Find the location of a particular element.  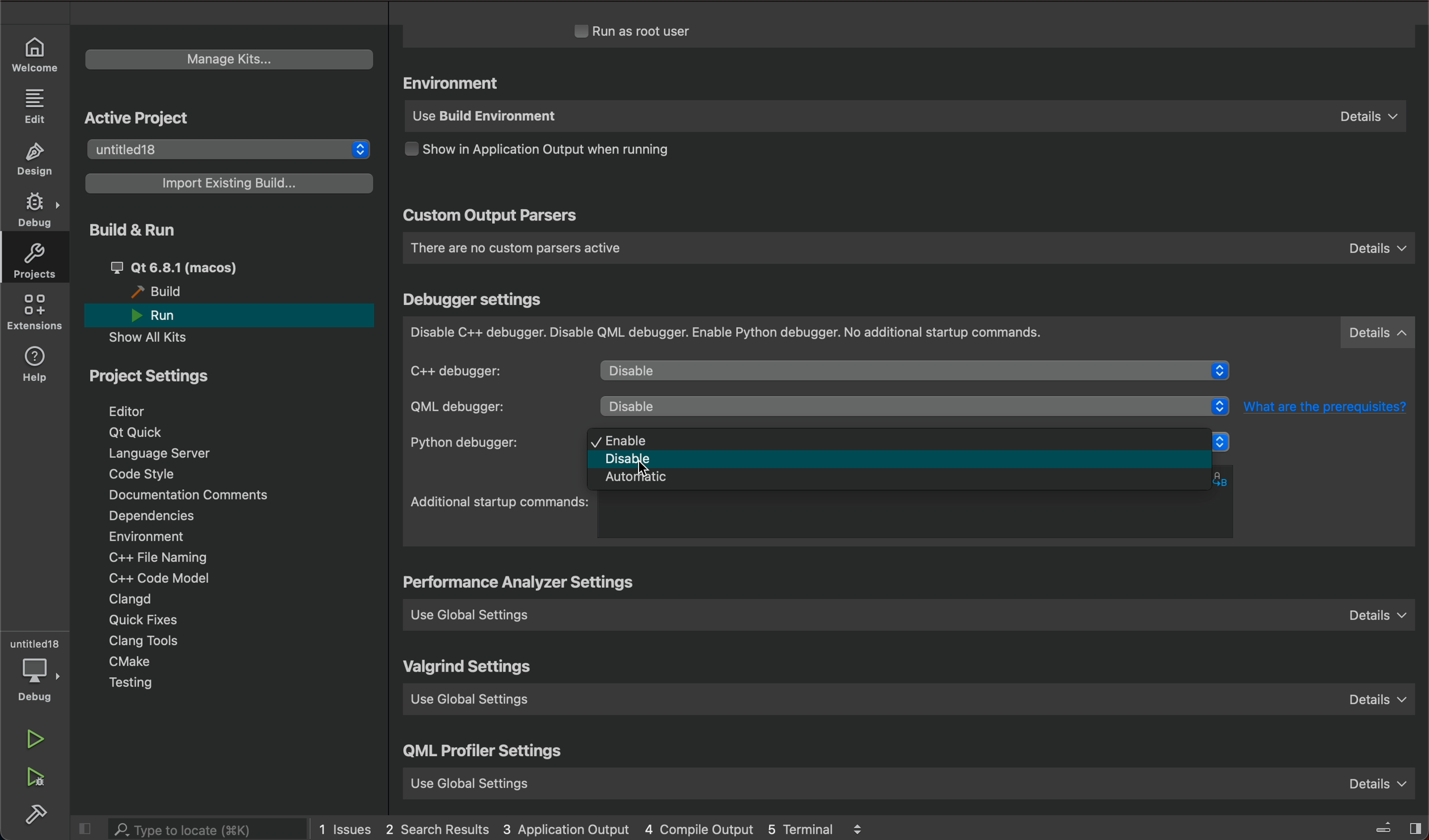

use build  is located at coordinates (902, 118).